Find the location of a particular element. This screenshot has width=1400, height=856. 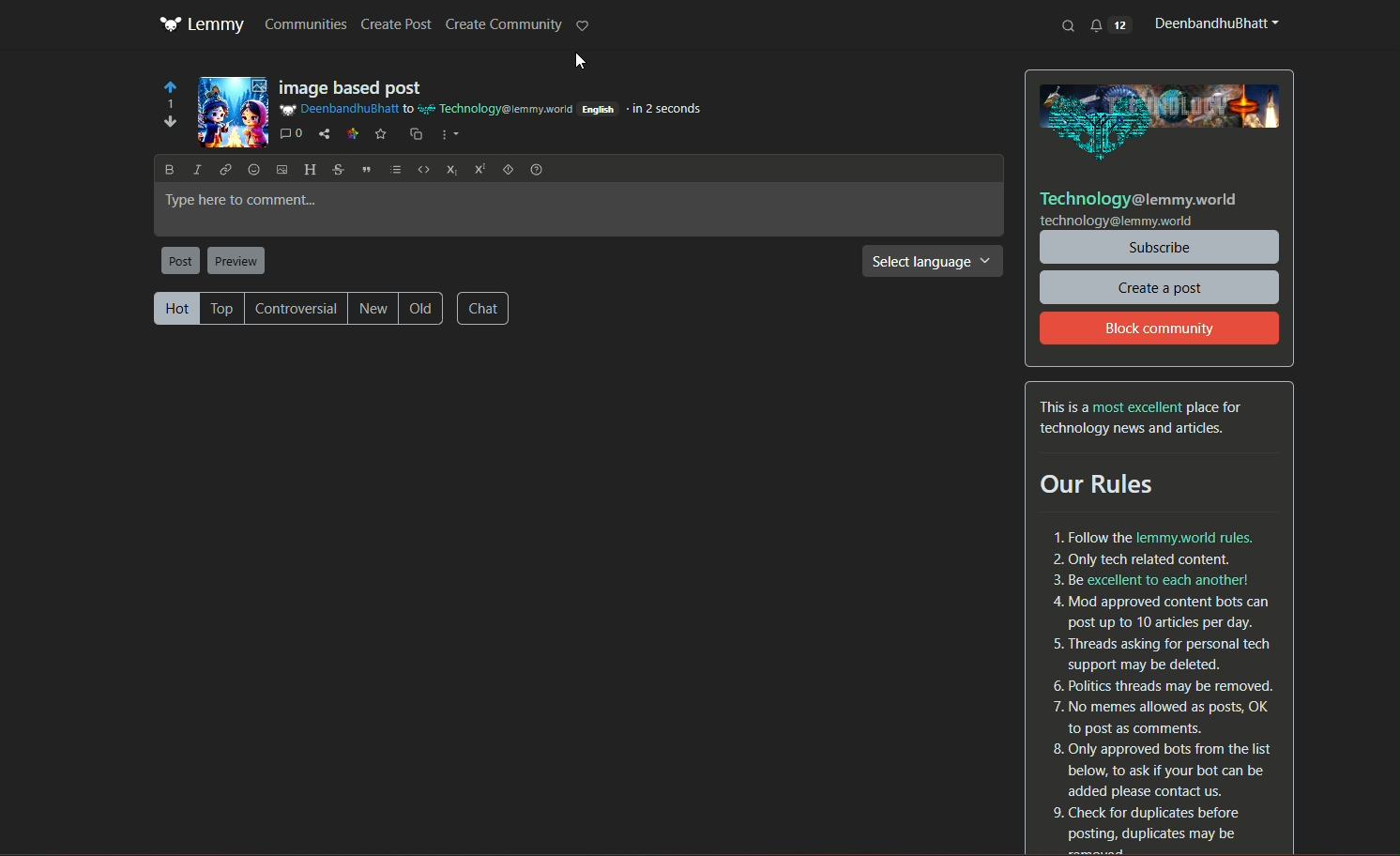

image based post is located at coordinates (357, 87).